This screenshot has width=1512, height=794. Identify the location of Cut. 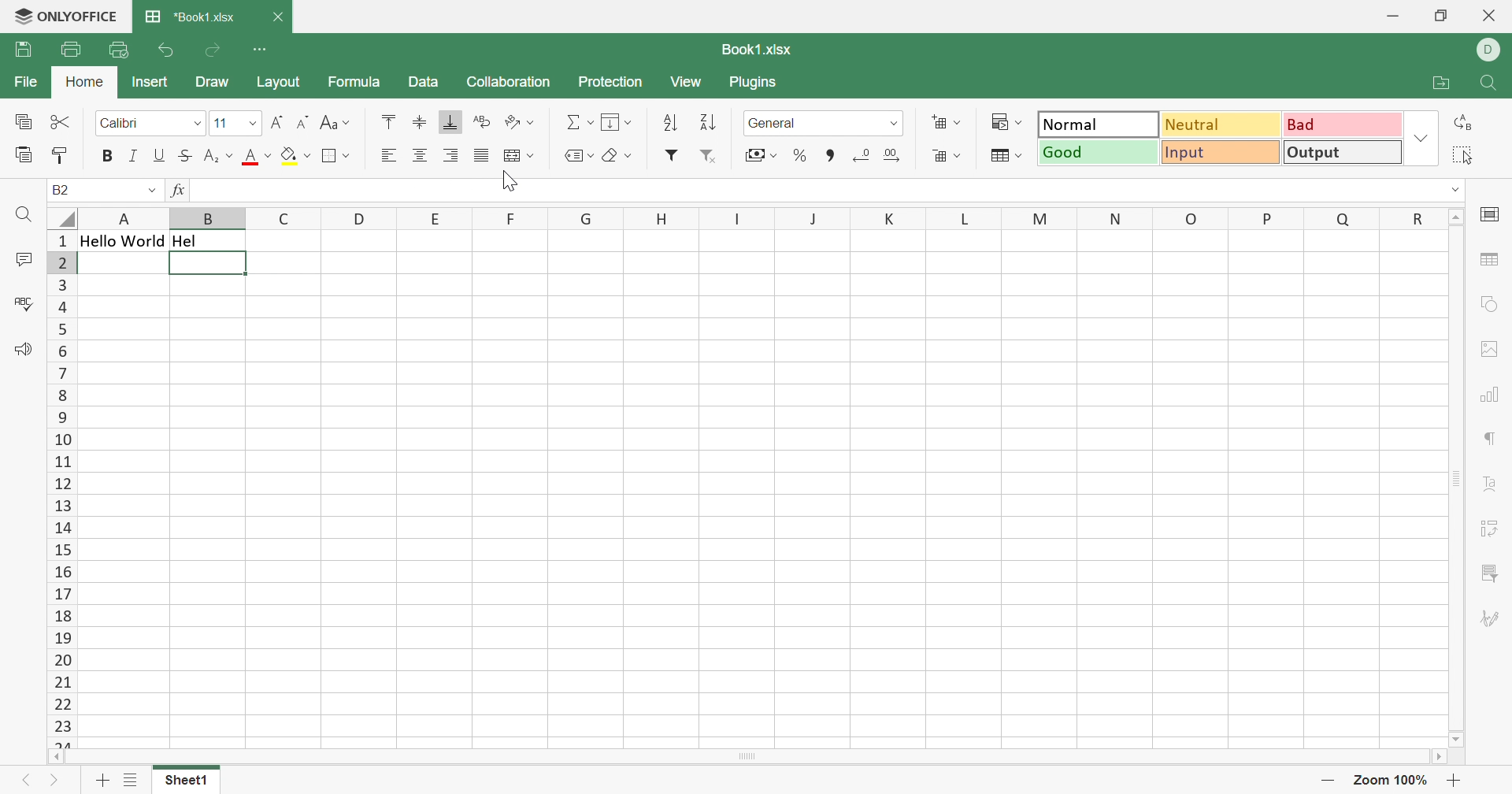
(59, 121).